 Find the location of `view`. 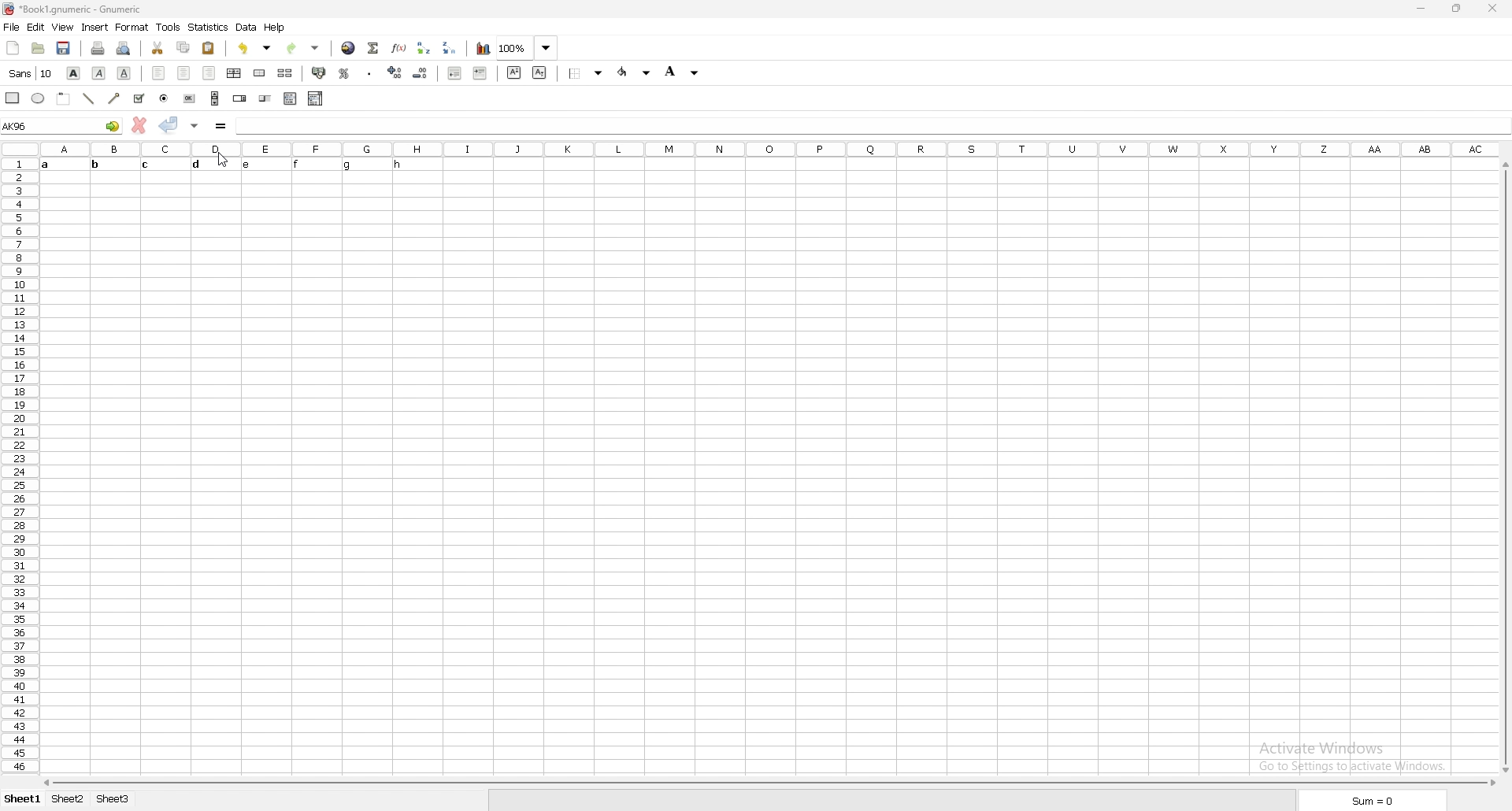

view is located at coordinates (63, 27).